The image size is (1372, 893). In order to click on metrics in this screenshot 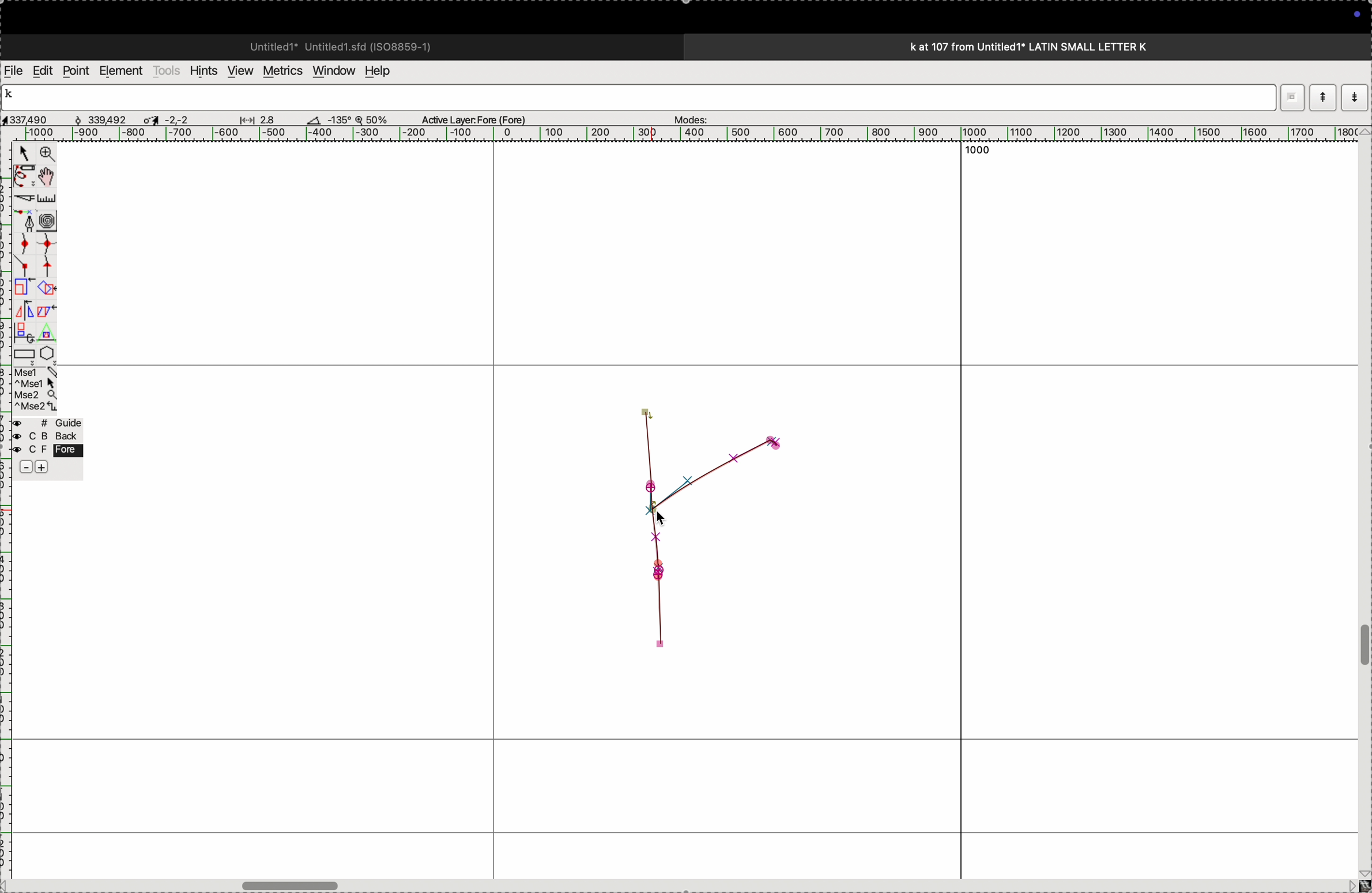, I will do `click(281, 71)`.